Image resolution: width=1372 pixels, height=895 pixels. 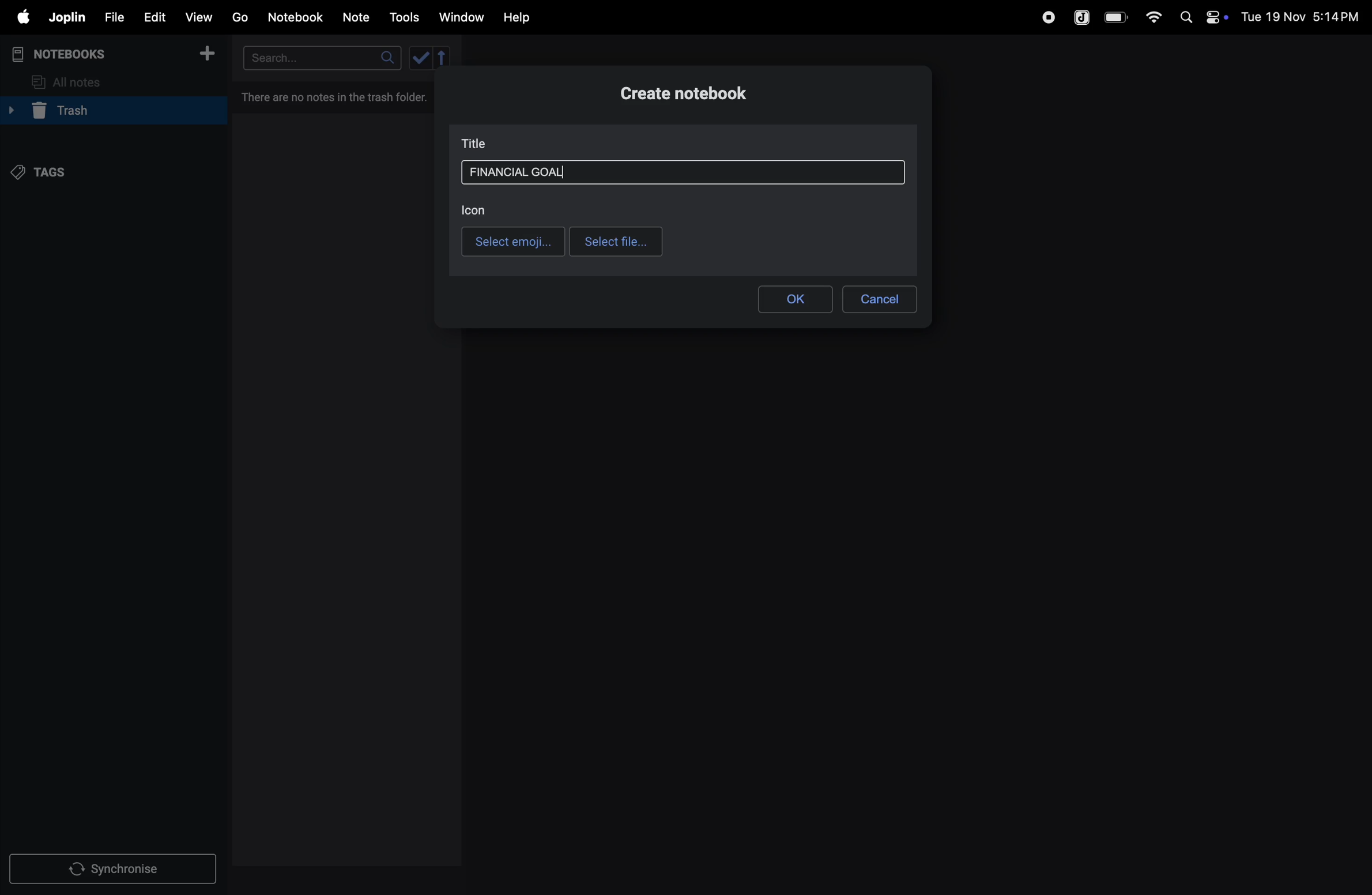 What do you see at coordinates (1047, 17) in the screenshot?
I see `record` at bounding box center [1047, 17].